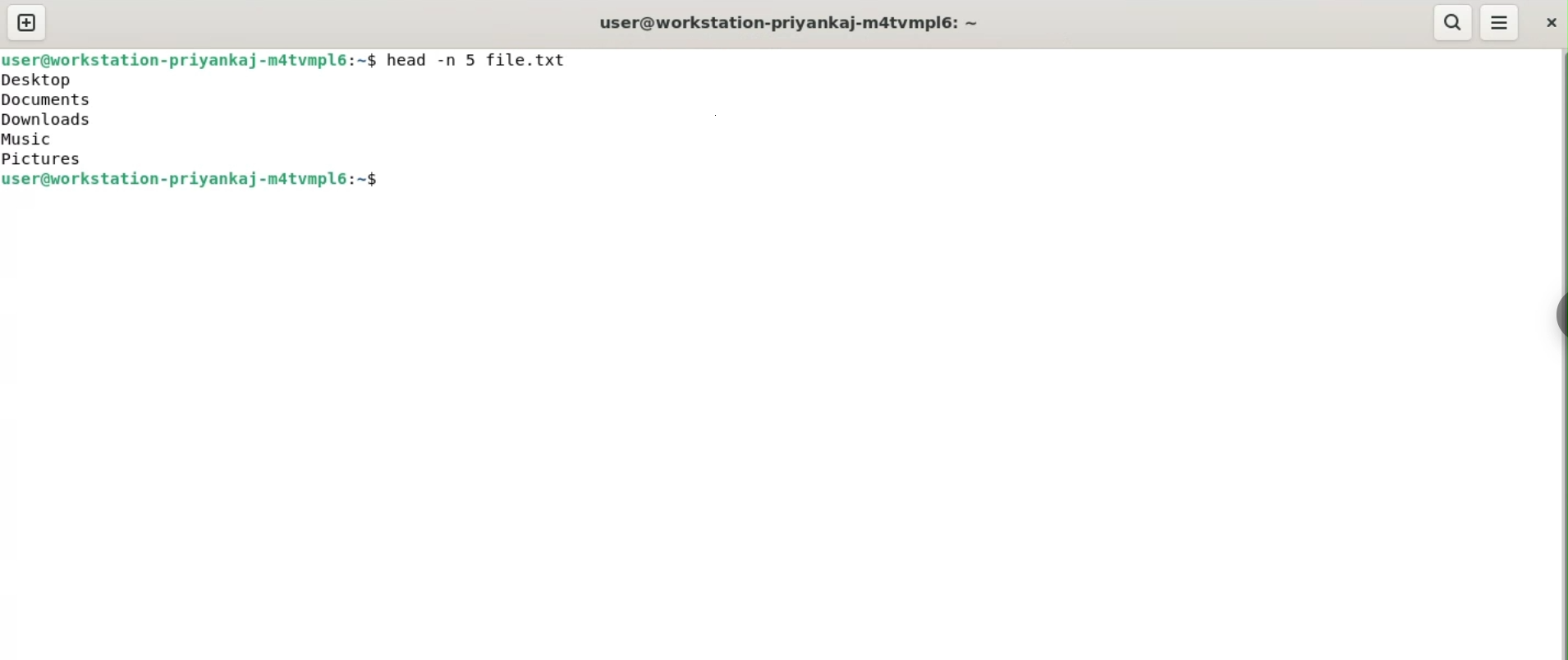  Describe the element at coordinates (51, 118) in the screenshot. I see `Desktop Documents Downloads Music Pictures` at that location.